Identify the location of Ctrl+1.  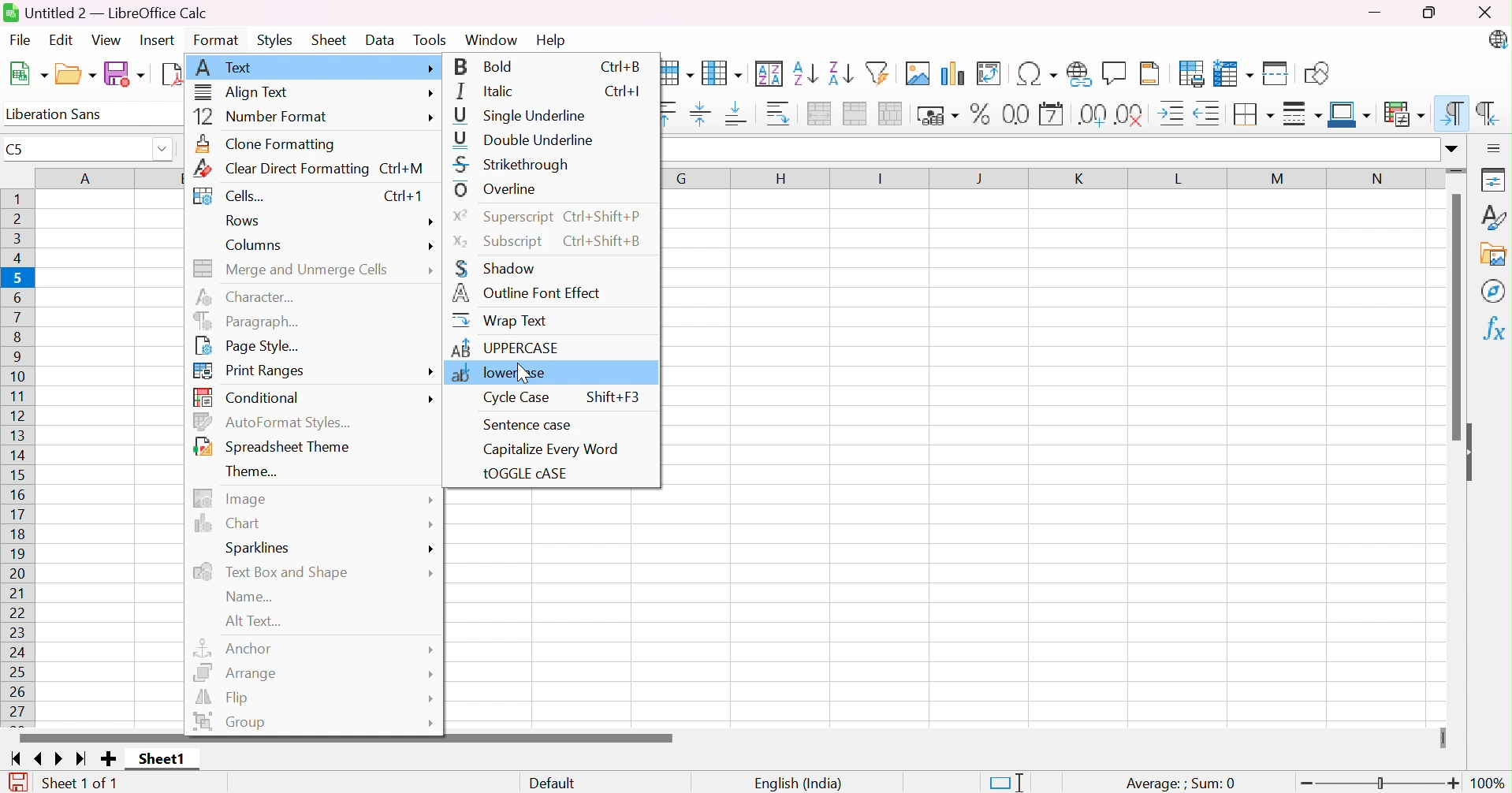
(403, 197).